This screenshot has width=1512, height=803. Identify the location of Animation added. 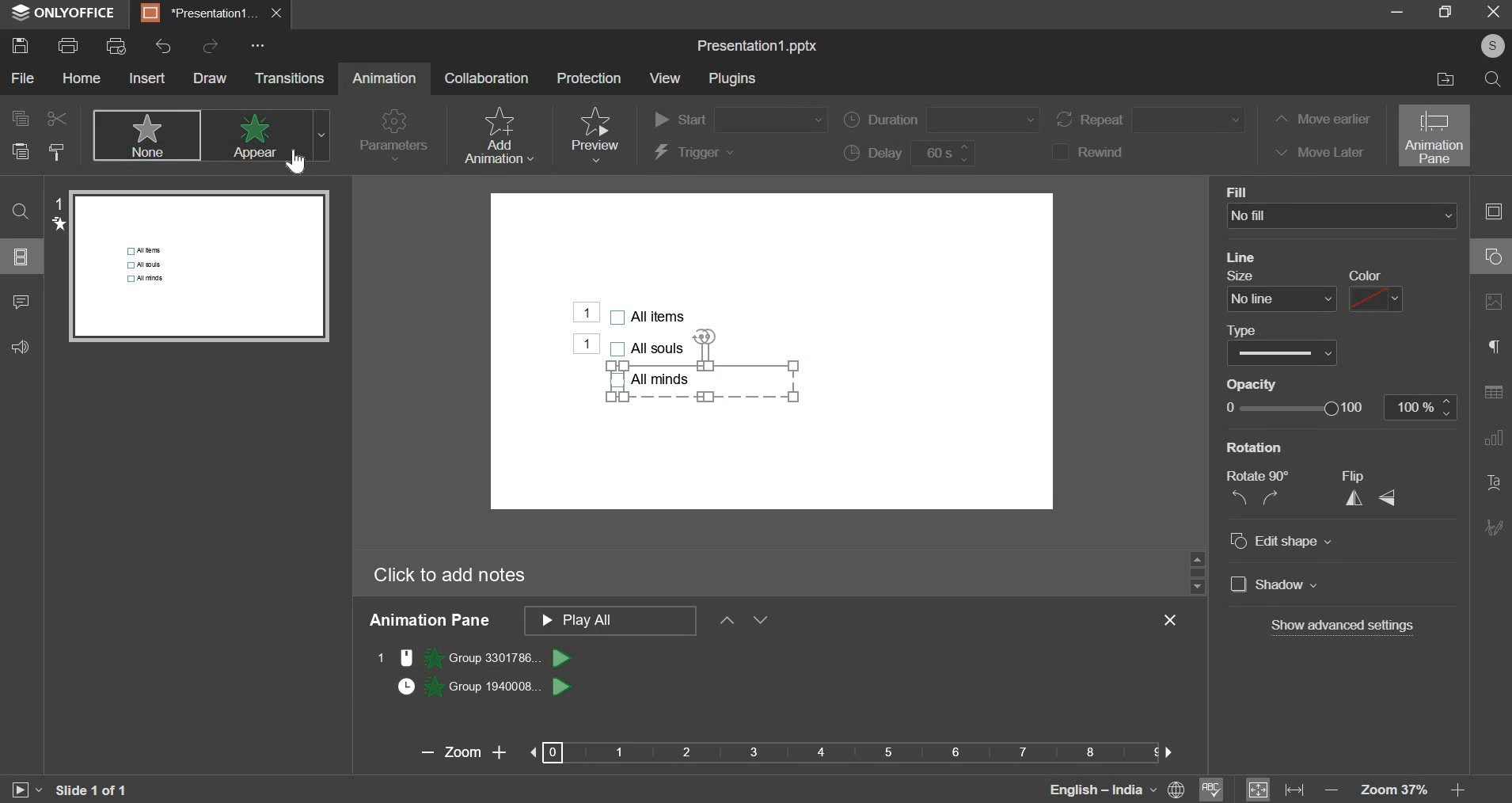
(572, 313).